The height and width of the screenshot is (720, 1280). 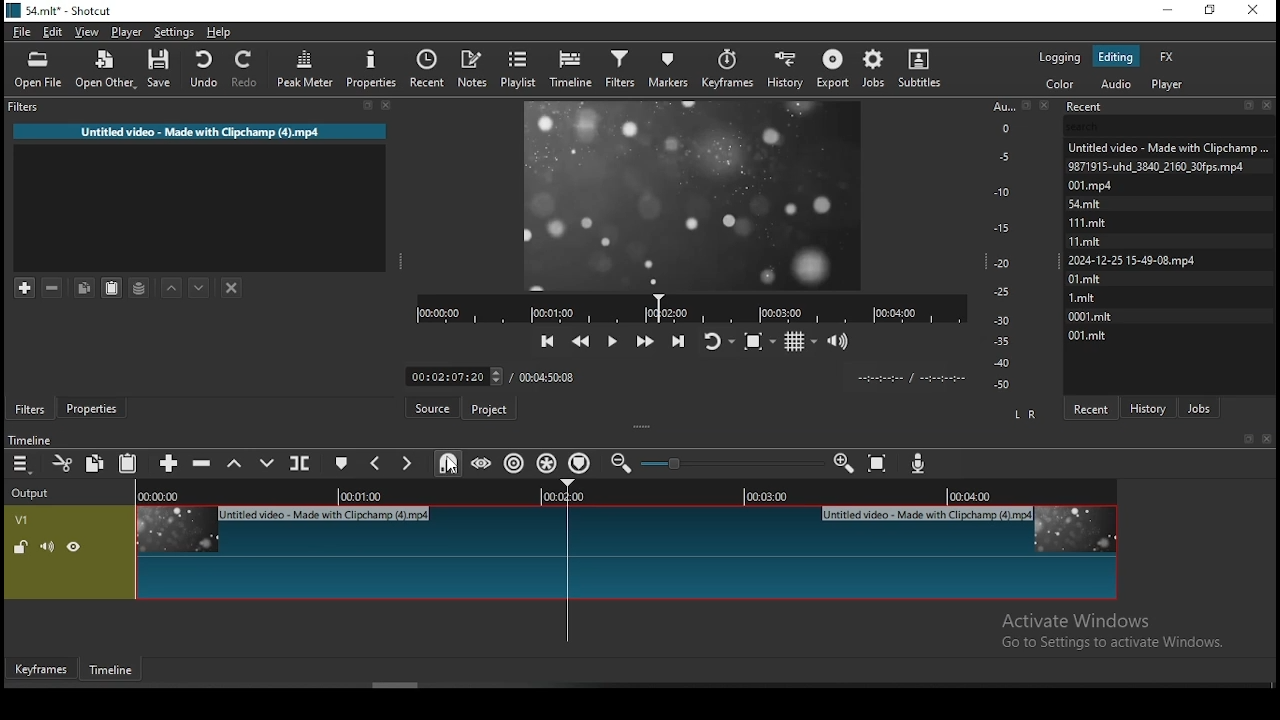 What do you see at coordinates (375, 464) in the screenshot?
I see `previous marker` at bounding box center [375, 464].